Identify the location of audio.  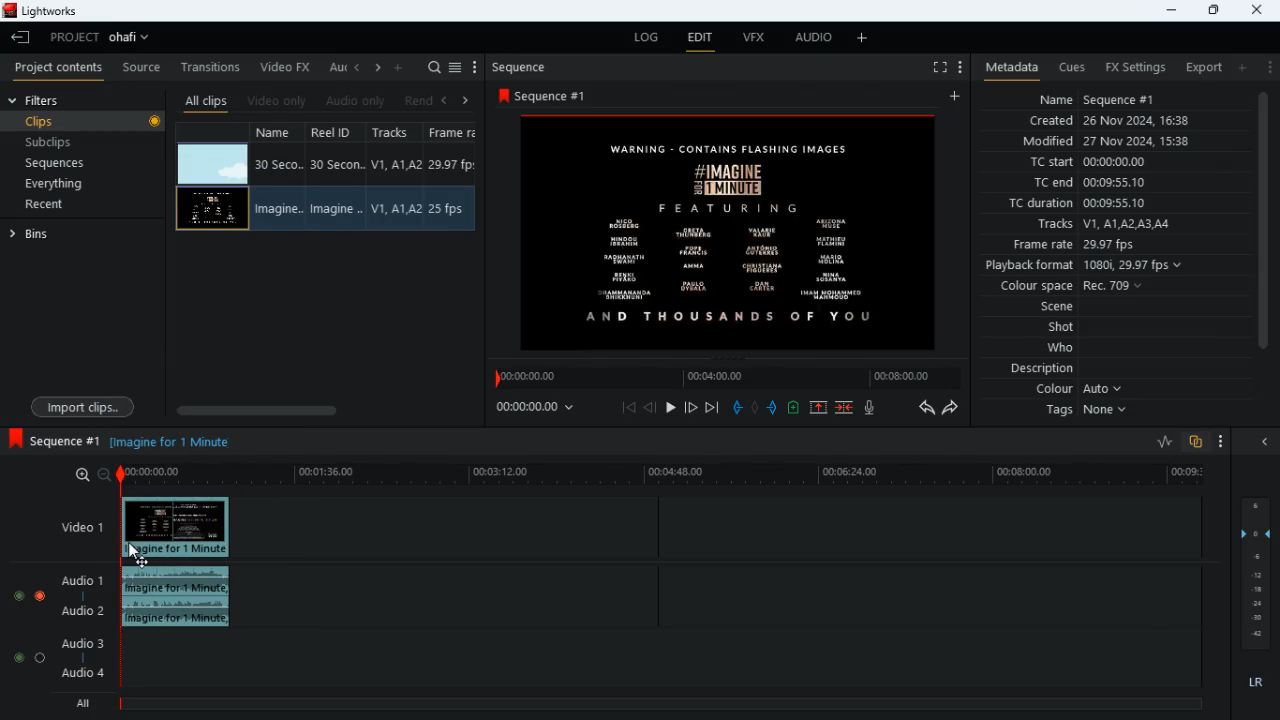
(816, 37).